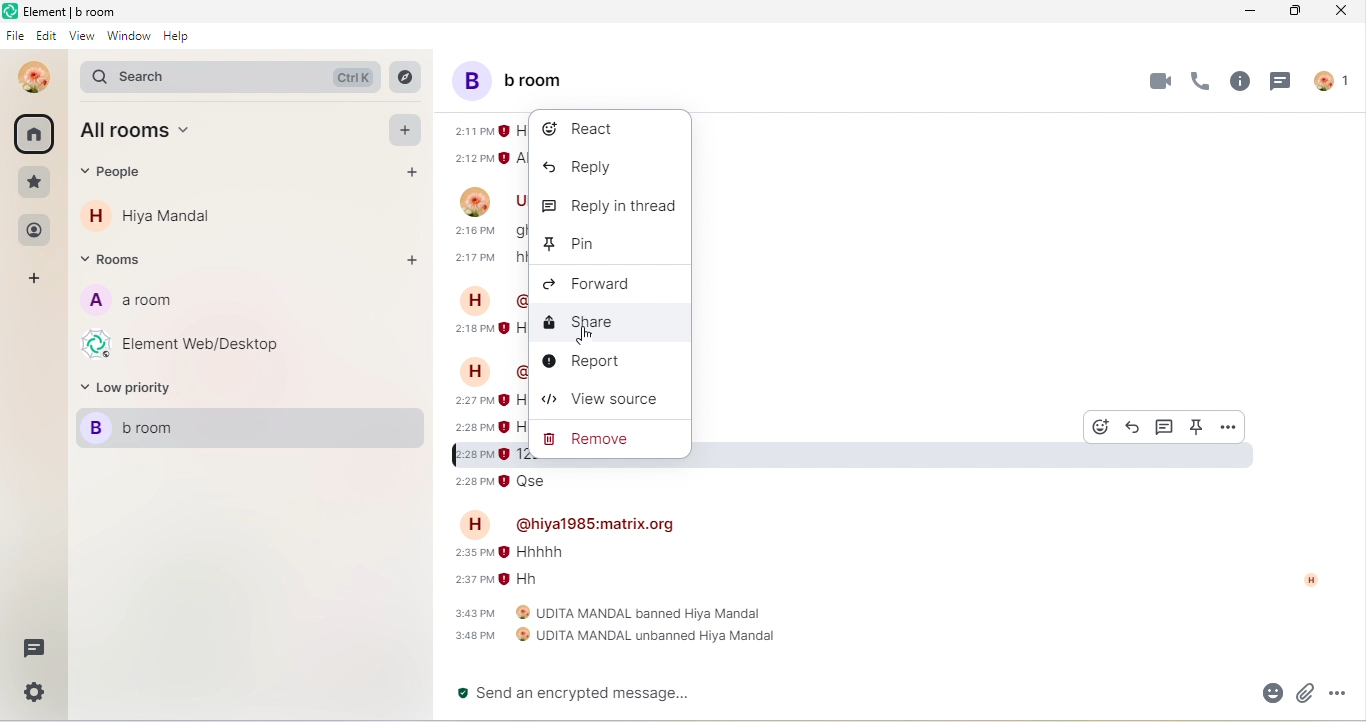 The image size is (1366, 722). Describe the element at coordinates (488, 454) in the screenshot. I see `2:28 pm 122` at that location.